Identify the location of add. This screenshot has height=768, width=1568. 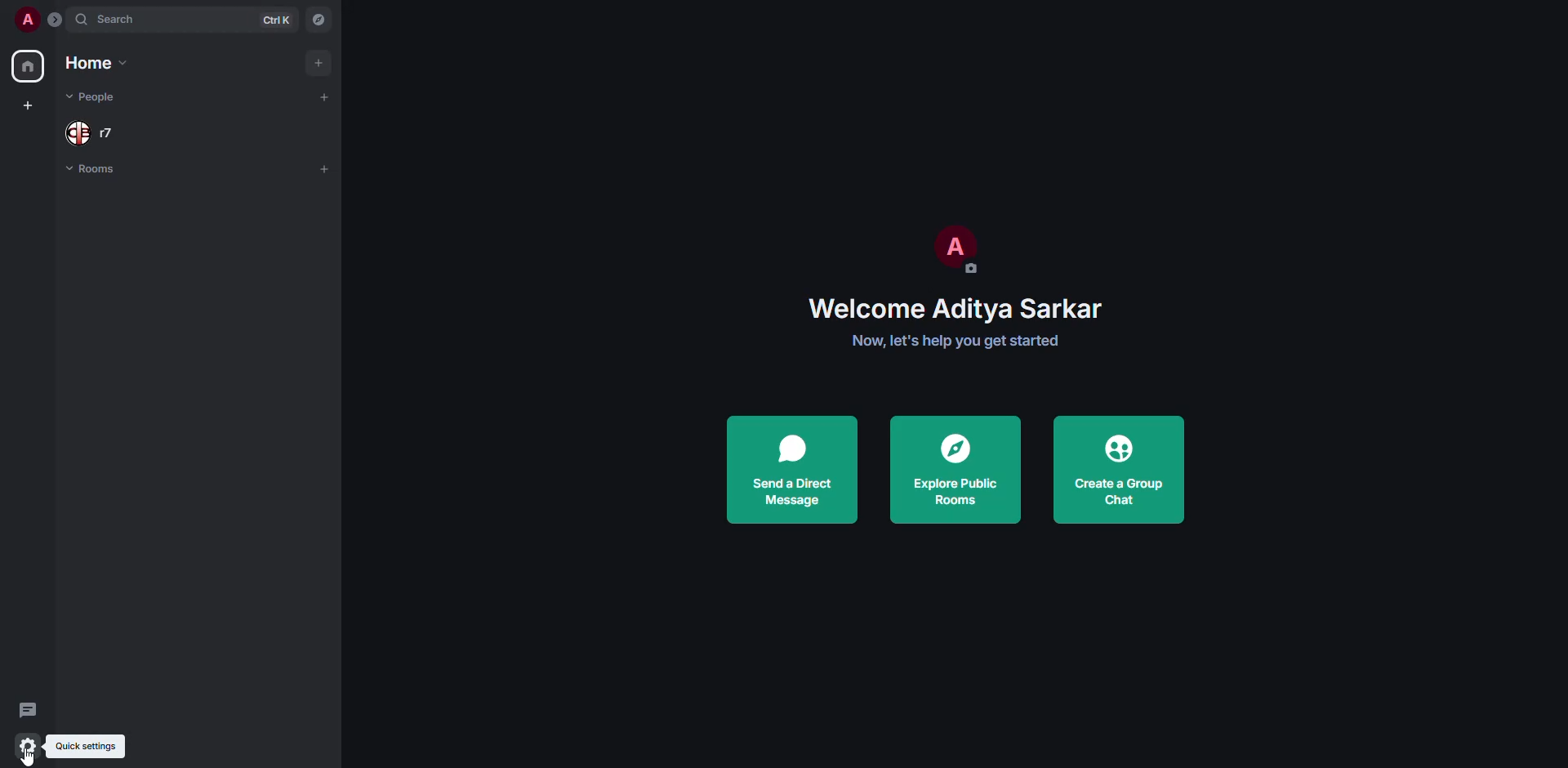
(324, 168).